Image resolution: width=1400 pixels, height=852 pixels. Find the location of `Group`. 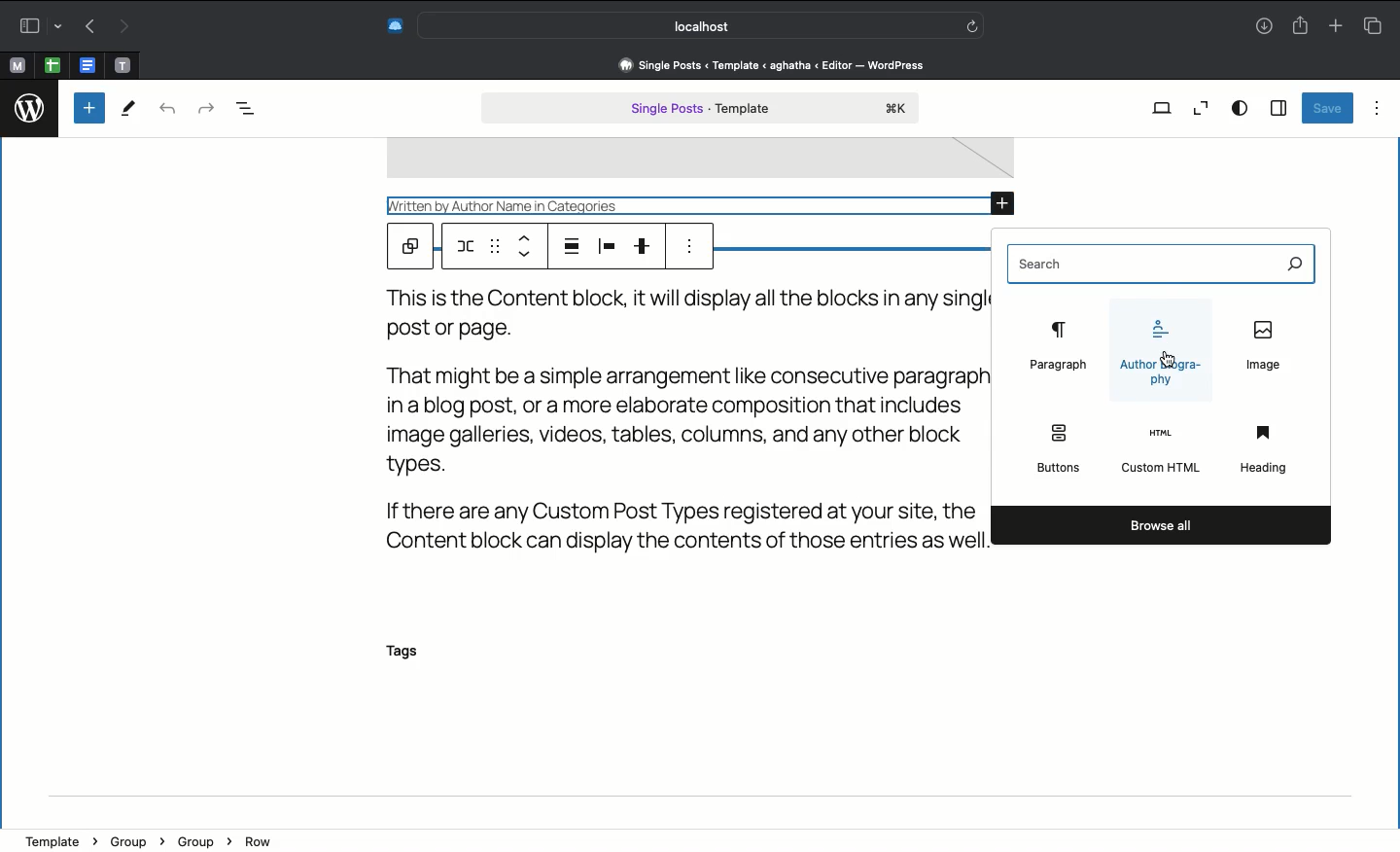

Group is located at coordinates (134, 839).